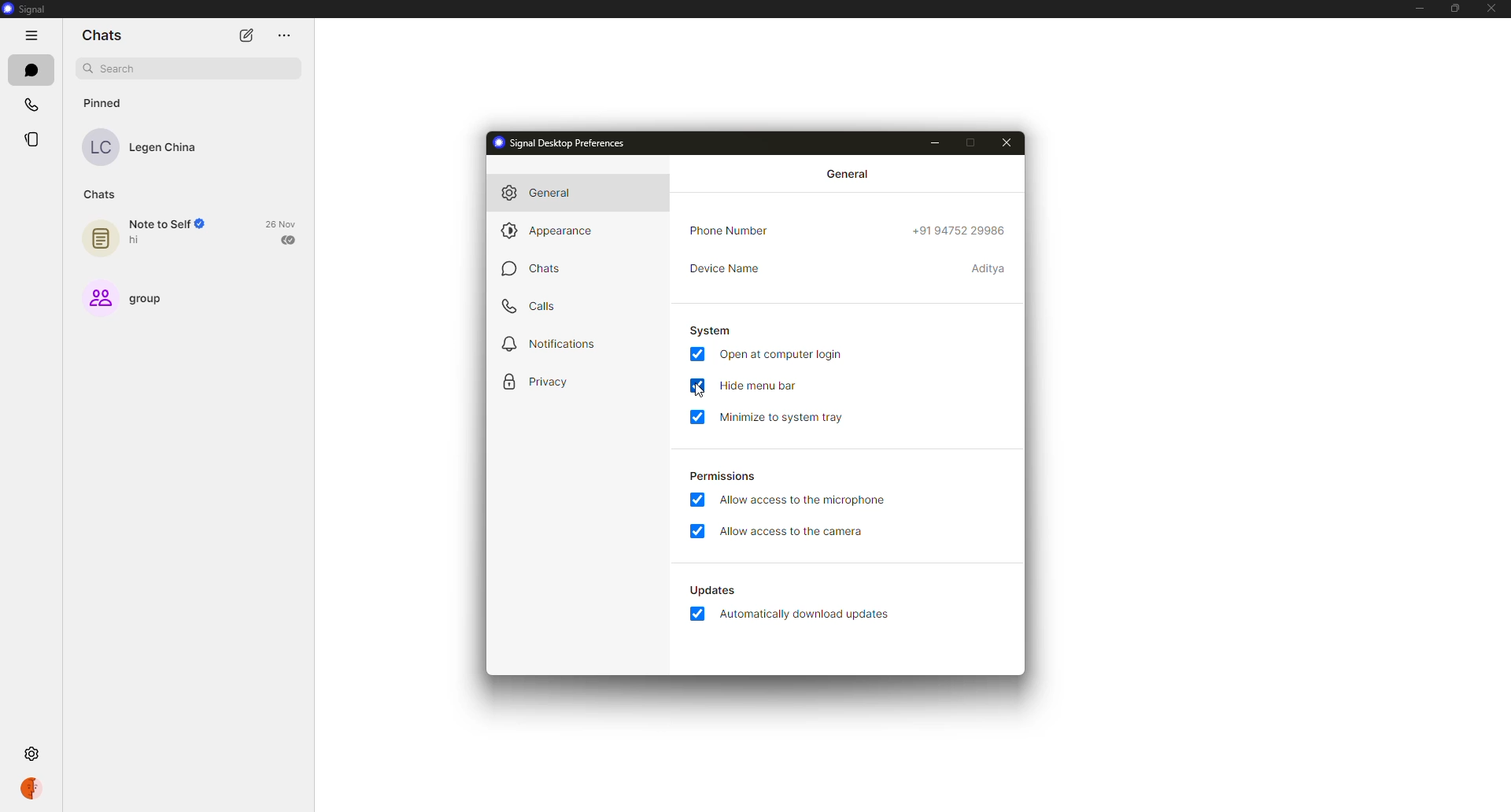  I want to click on general, so click(850, 173).